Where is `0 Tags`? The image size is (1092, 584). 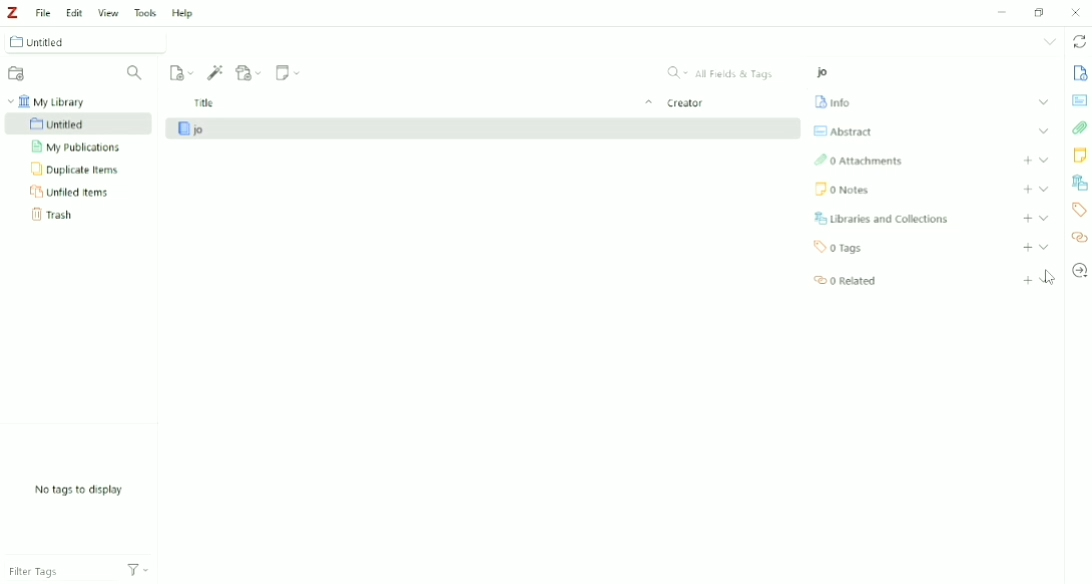 0 Tags is located at coordinates (837, 249).